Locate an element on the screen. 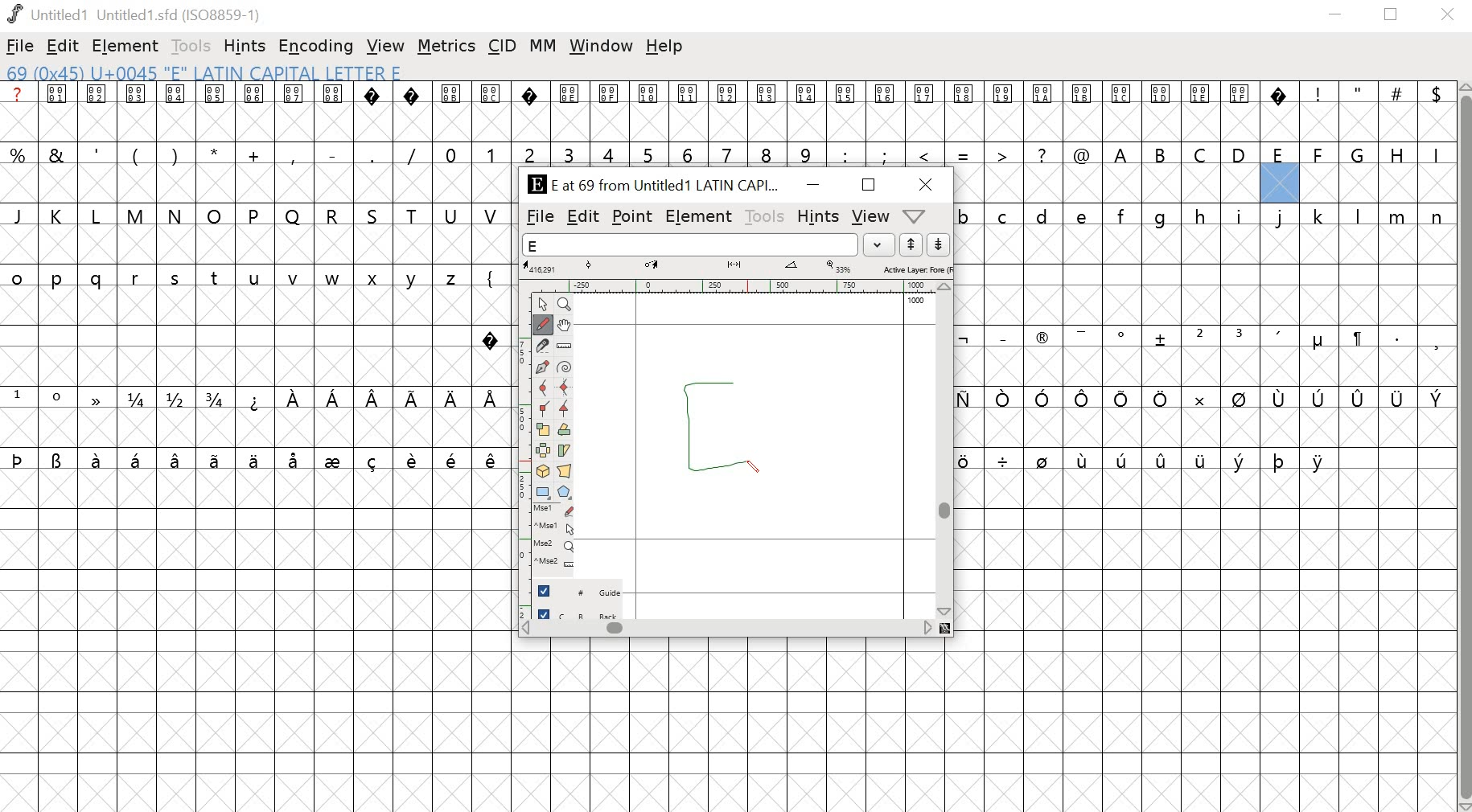  Tangent is located at coordinates (563, 409).